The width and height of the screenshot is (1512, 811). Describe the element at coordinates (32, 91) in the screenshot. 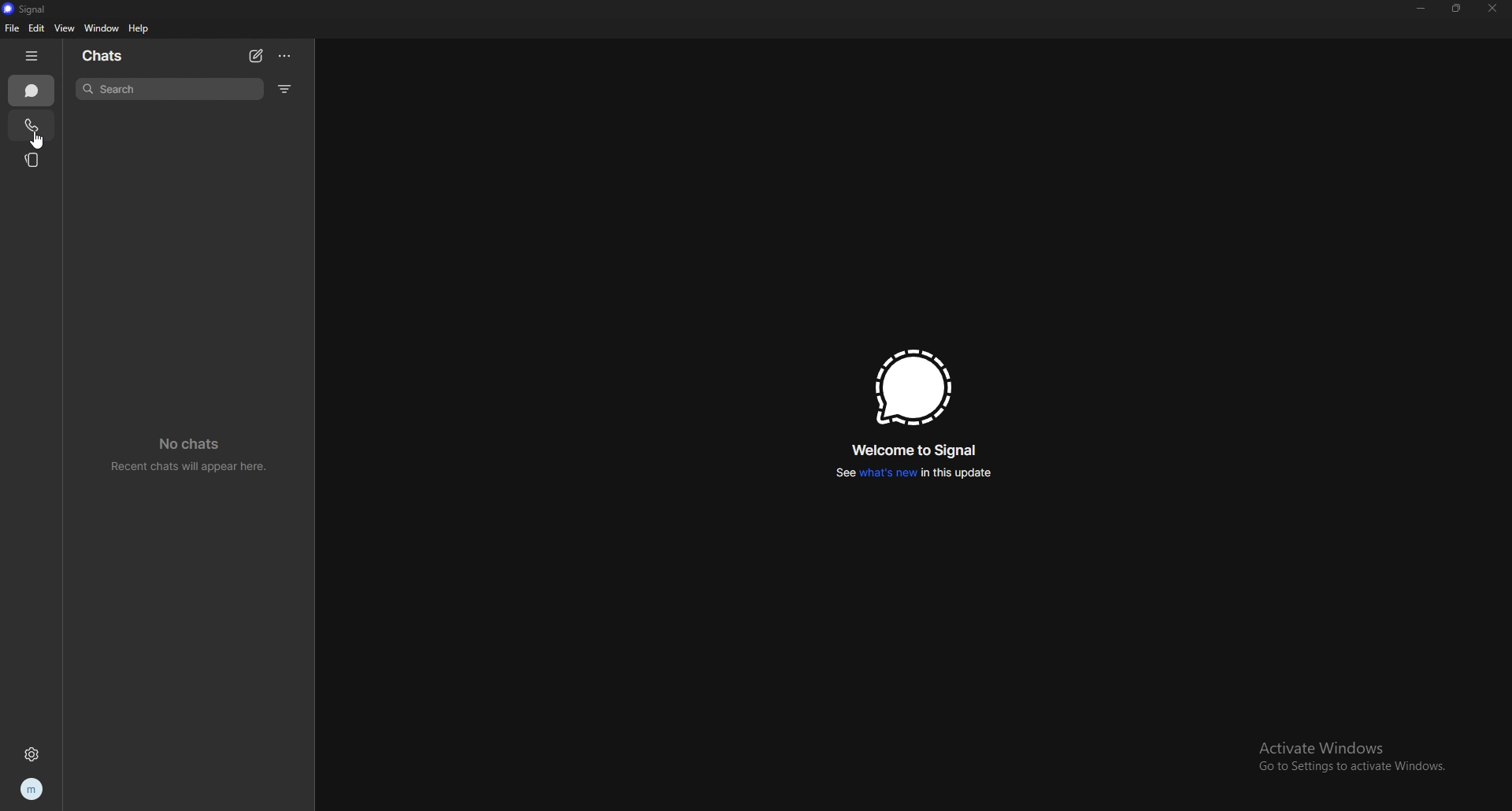

I see `chats` at that location.